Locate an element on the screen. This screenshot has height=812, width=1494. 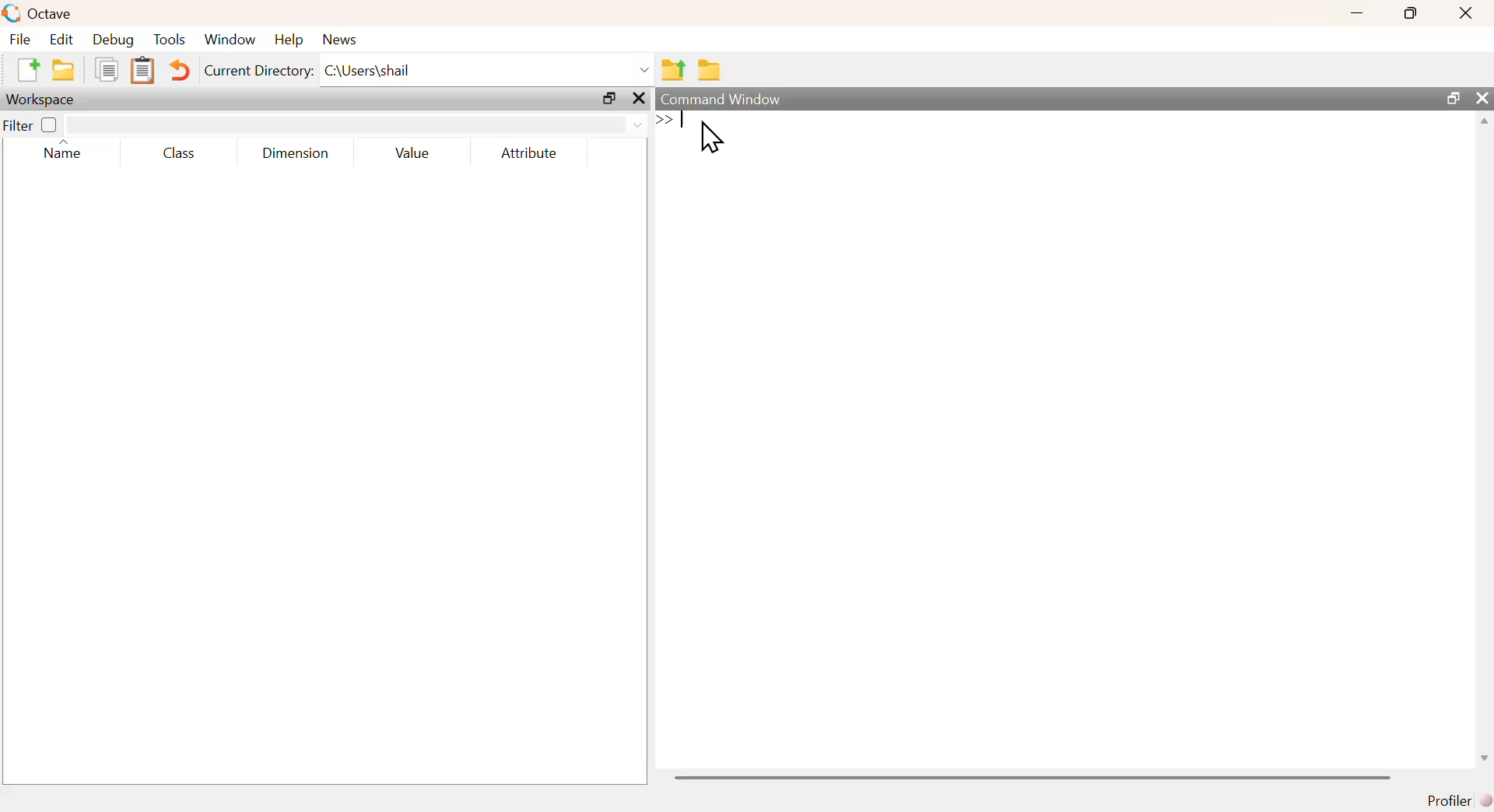
cursor is located at coordinates (712, 140).